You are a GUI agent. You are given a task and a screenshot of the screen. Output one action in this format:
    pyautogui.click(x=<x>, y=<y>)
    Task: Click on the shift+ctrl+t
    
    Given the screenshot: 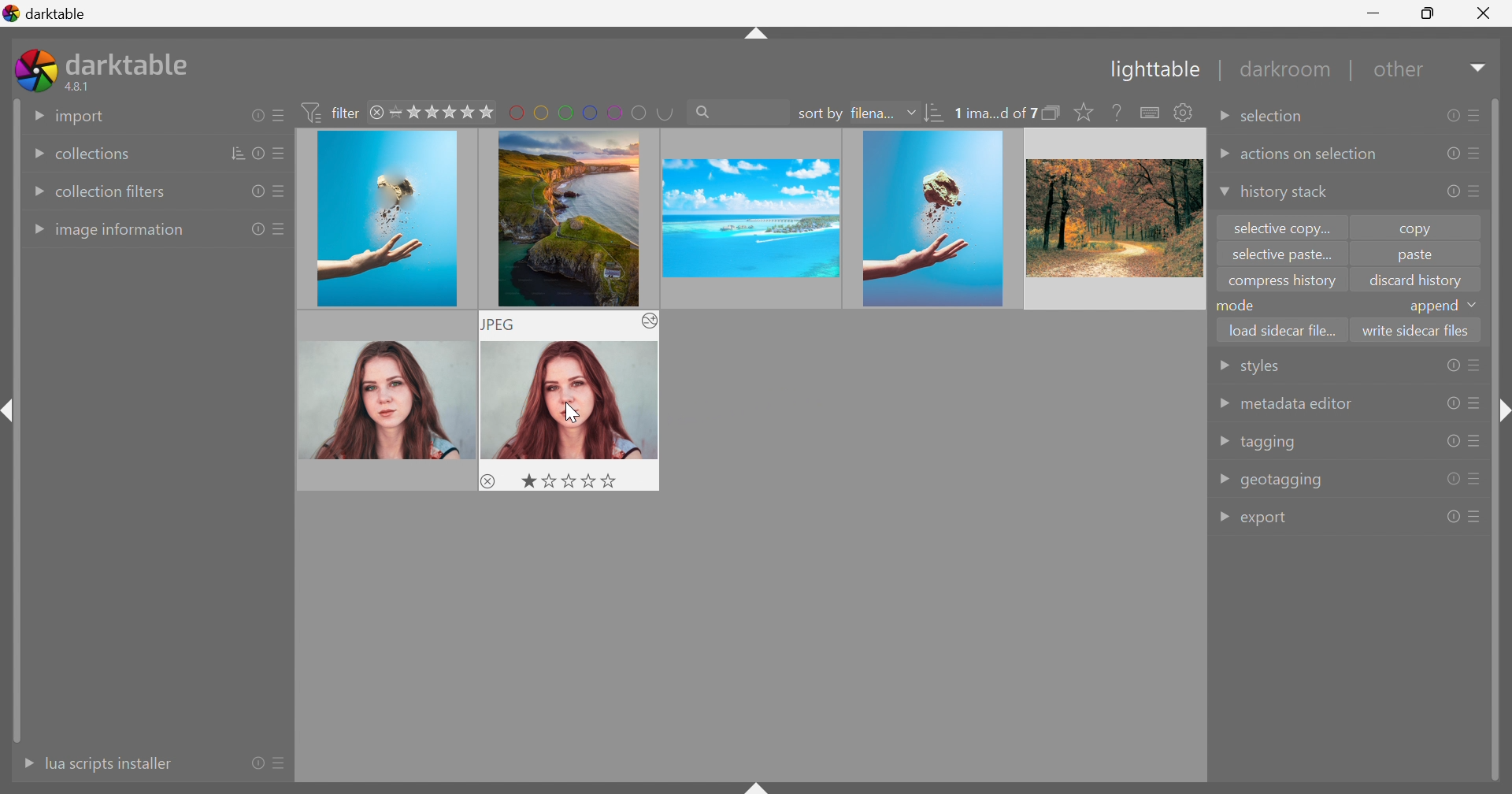 What is the action you would take?
    pyautogui.click(x=754, y=36)
    